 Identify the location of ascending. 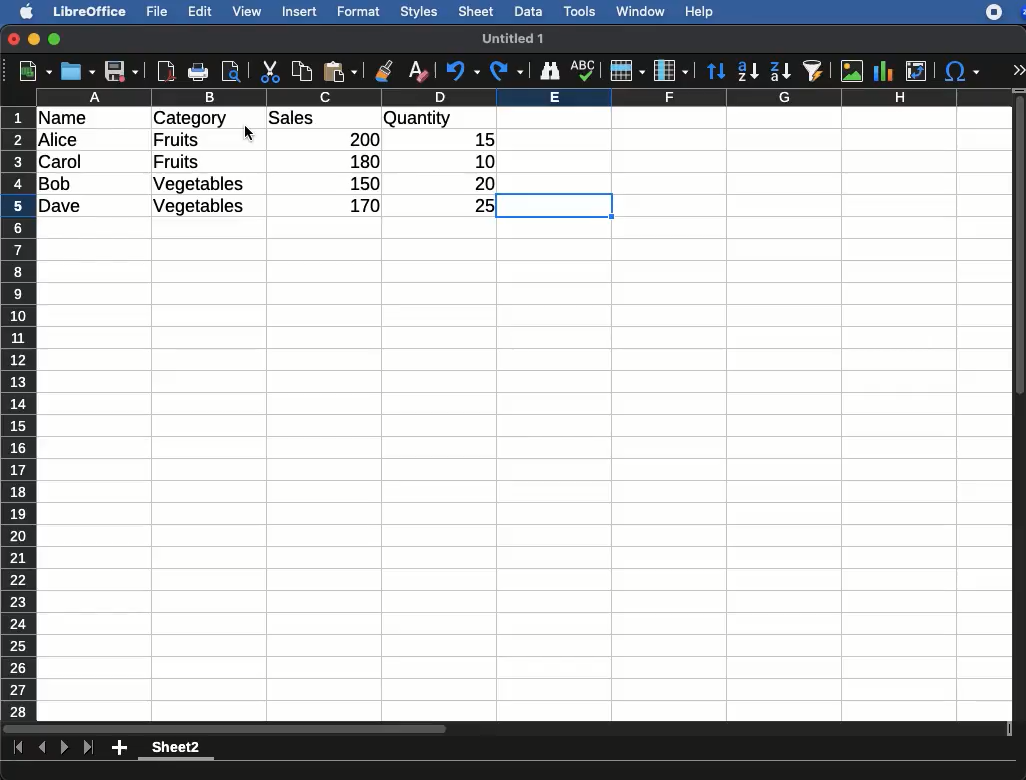
(748, 70).